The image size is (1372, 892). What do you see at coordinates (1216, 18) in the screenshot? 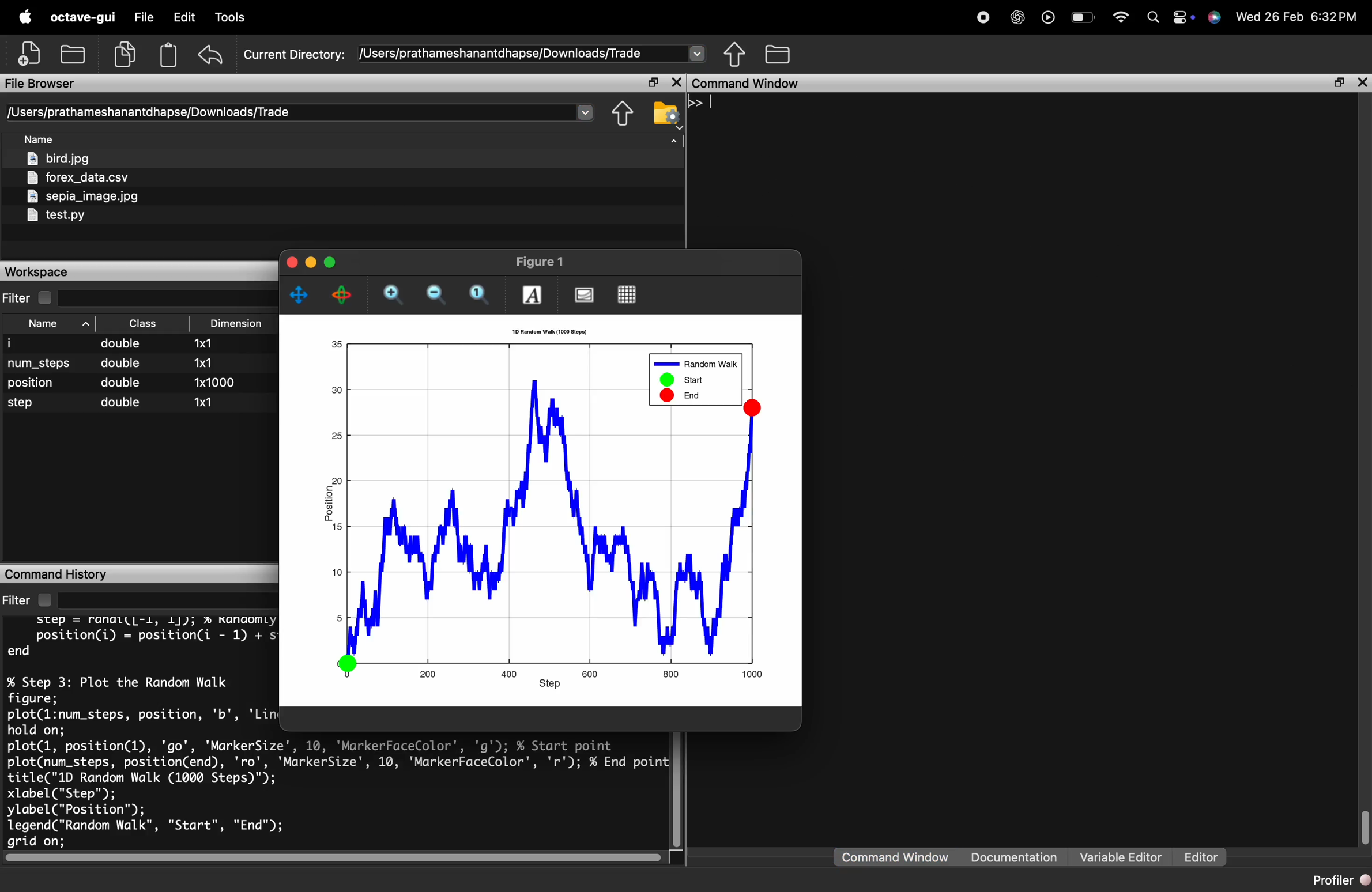
I see `support` at bounding box center [1216, 18].